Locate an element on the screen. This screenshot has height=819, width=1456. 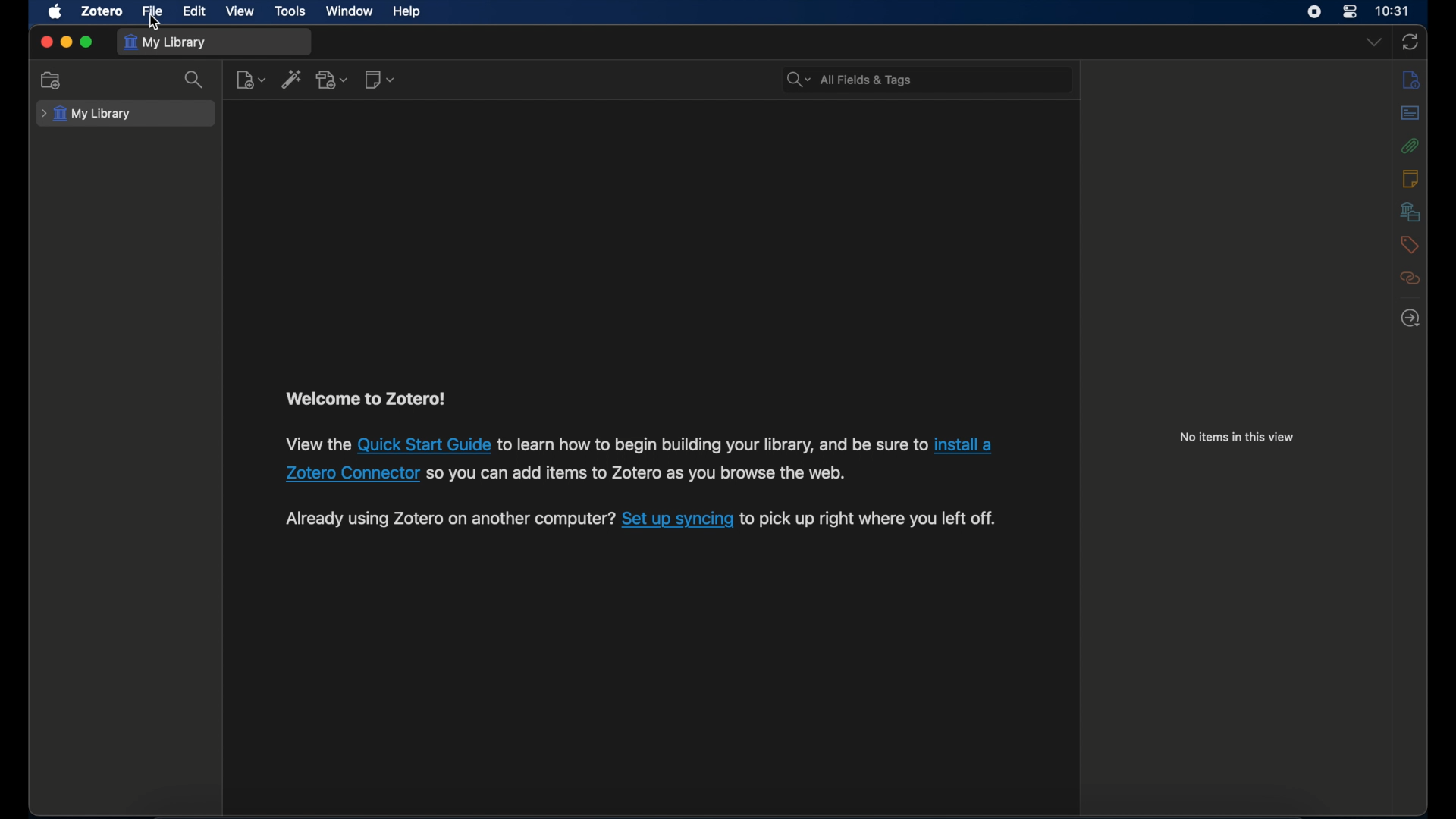
locate is located at coordinates (1410, 317).